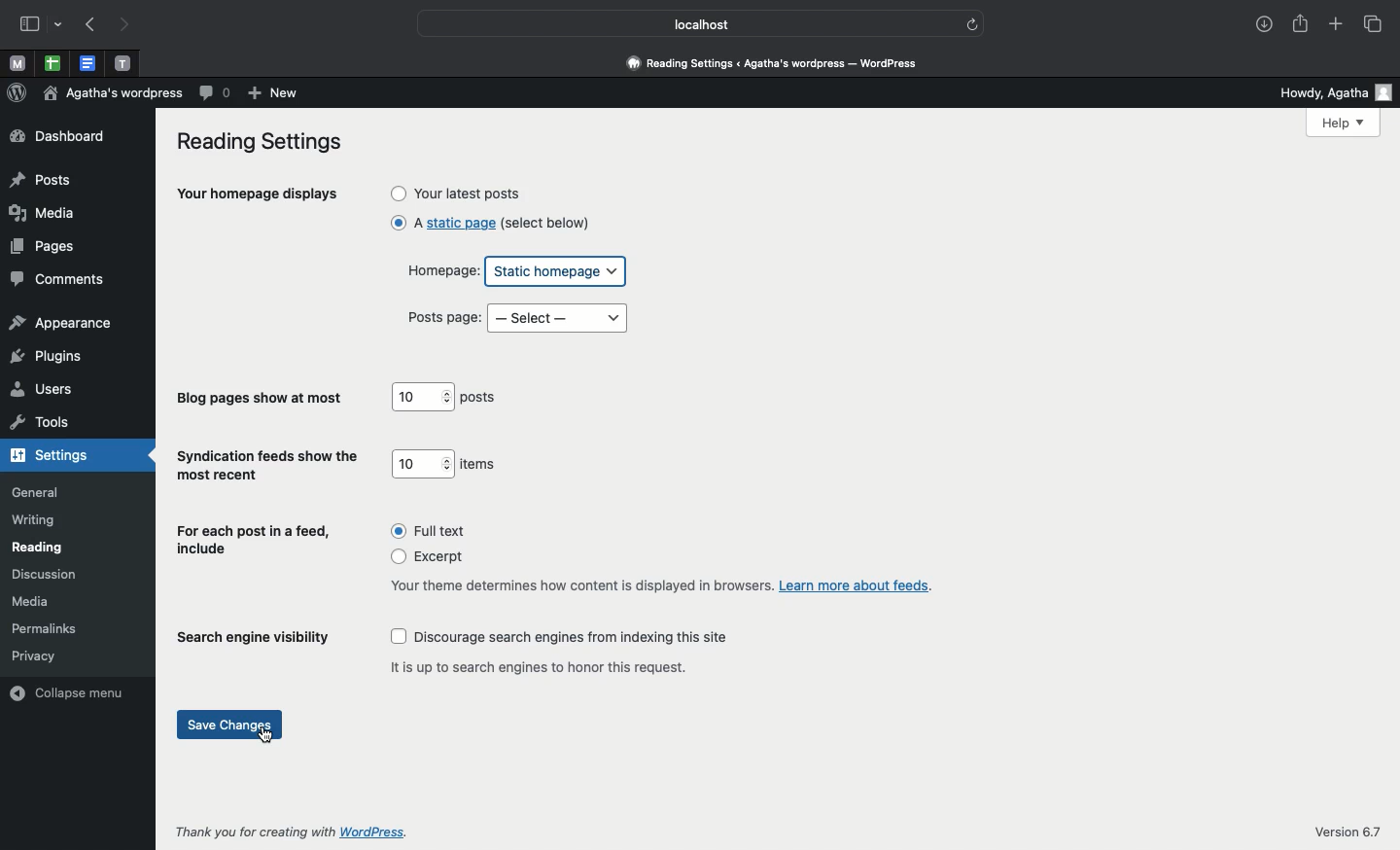 Image resolution: width=1400 pixels, height=850 pixels. I want to click on Your latest posts , so click(458, 193).